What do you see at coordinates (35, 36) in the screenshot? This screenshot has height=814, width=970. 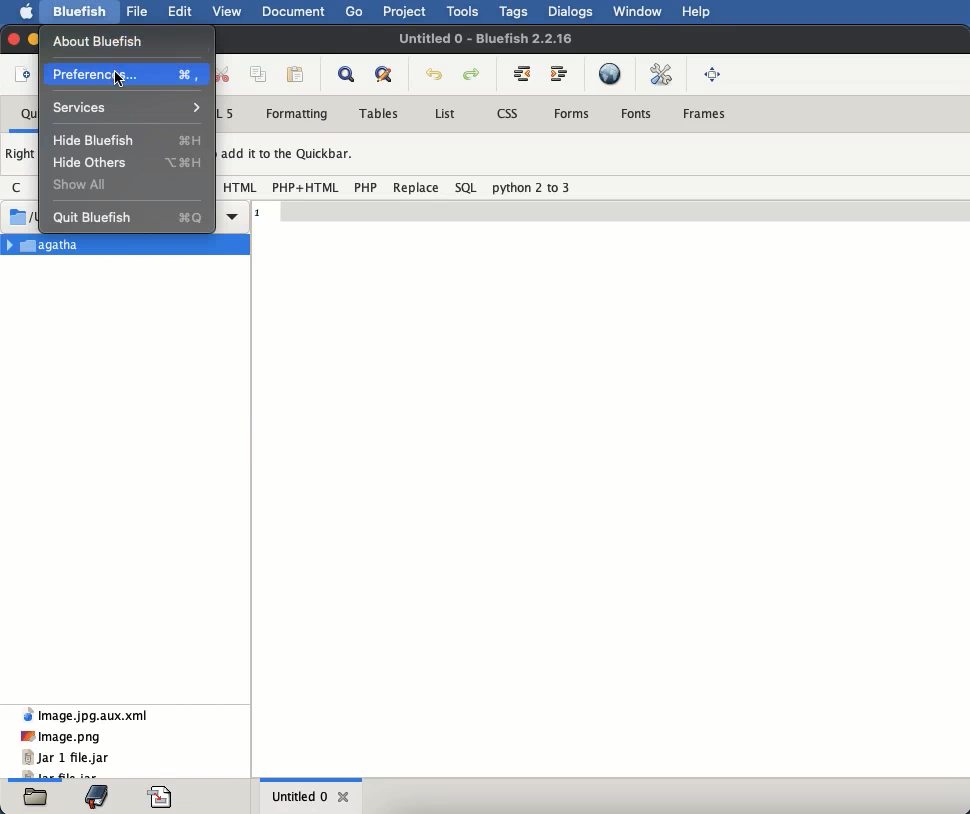 I see `minimize` at bounding box center [35, 36].